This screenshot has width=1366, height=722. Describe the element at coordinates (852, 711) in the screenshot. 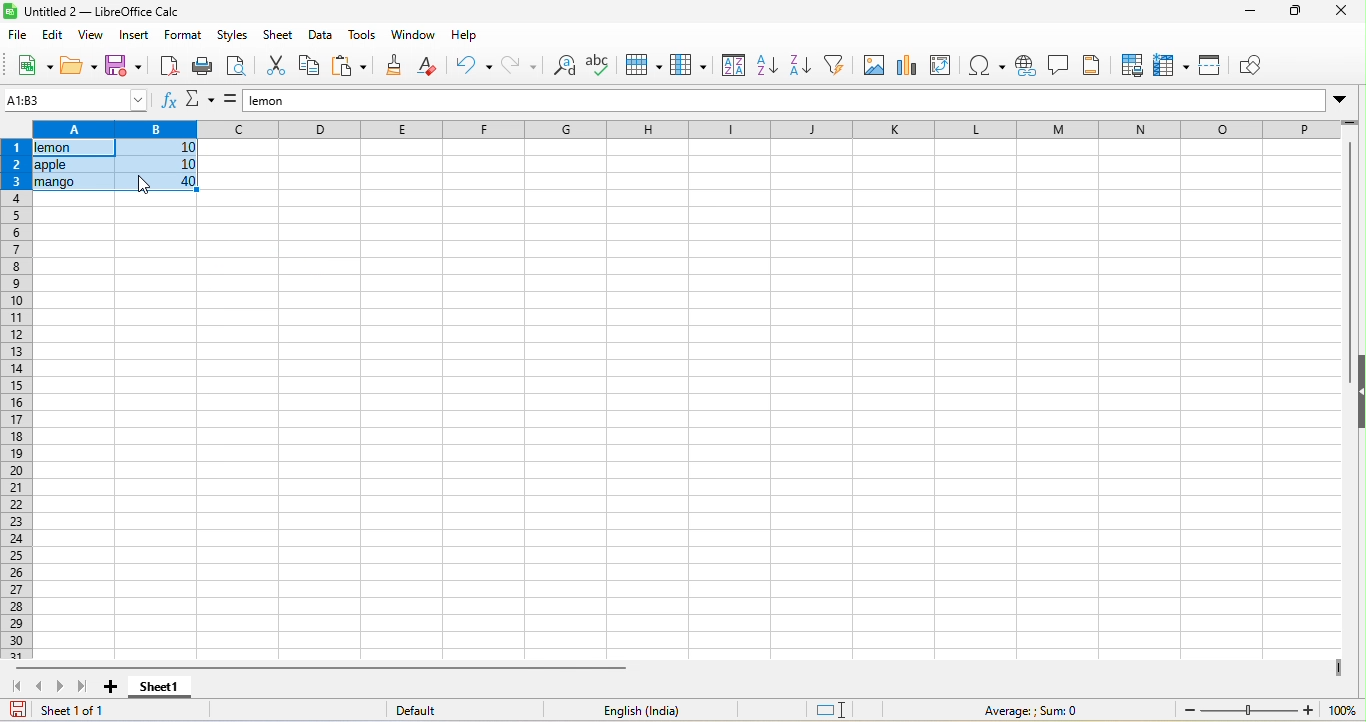

I see `standard selection` at that location.